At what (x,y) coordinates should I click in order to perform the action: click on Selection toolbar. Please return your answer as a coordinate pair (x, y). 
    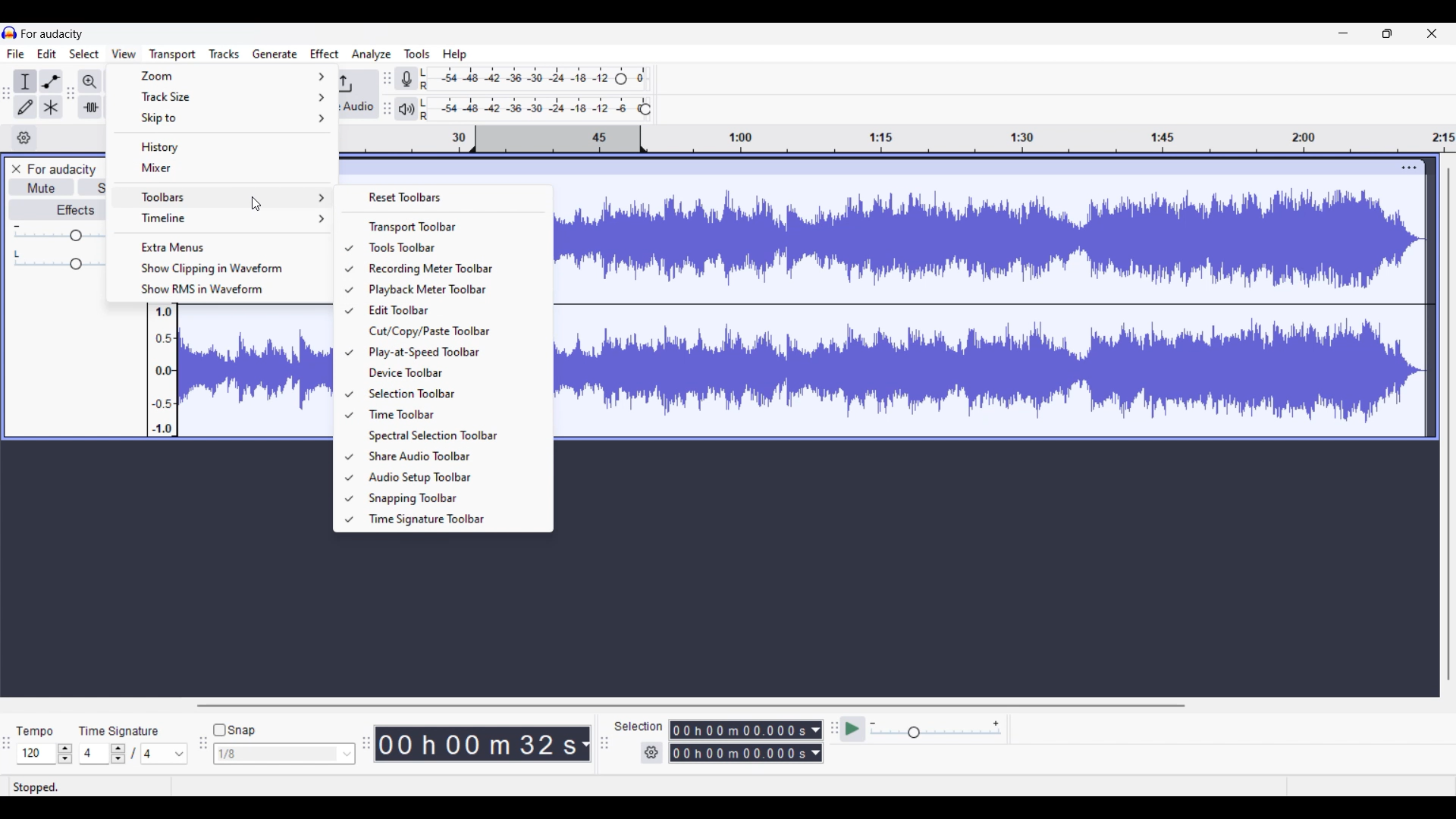
    Looking at the image, I should click on (450, 393).